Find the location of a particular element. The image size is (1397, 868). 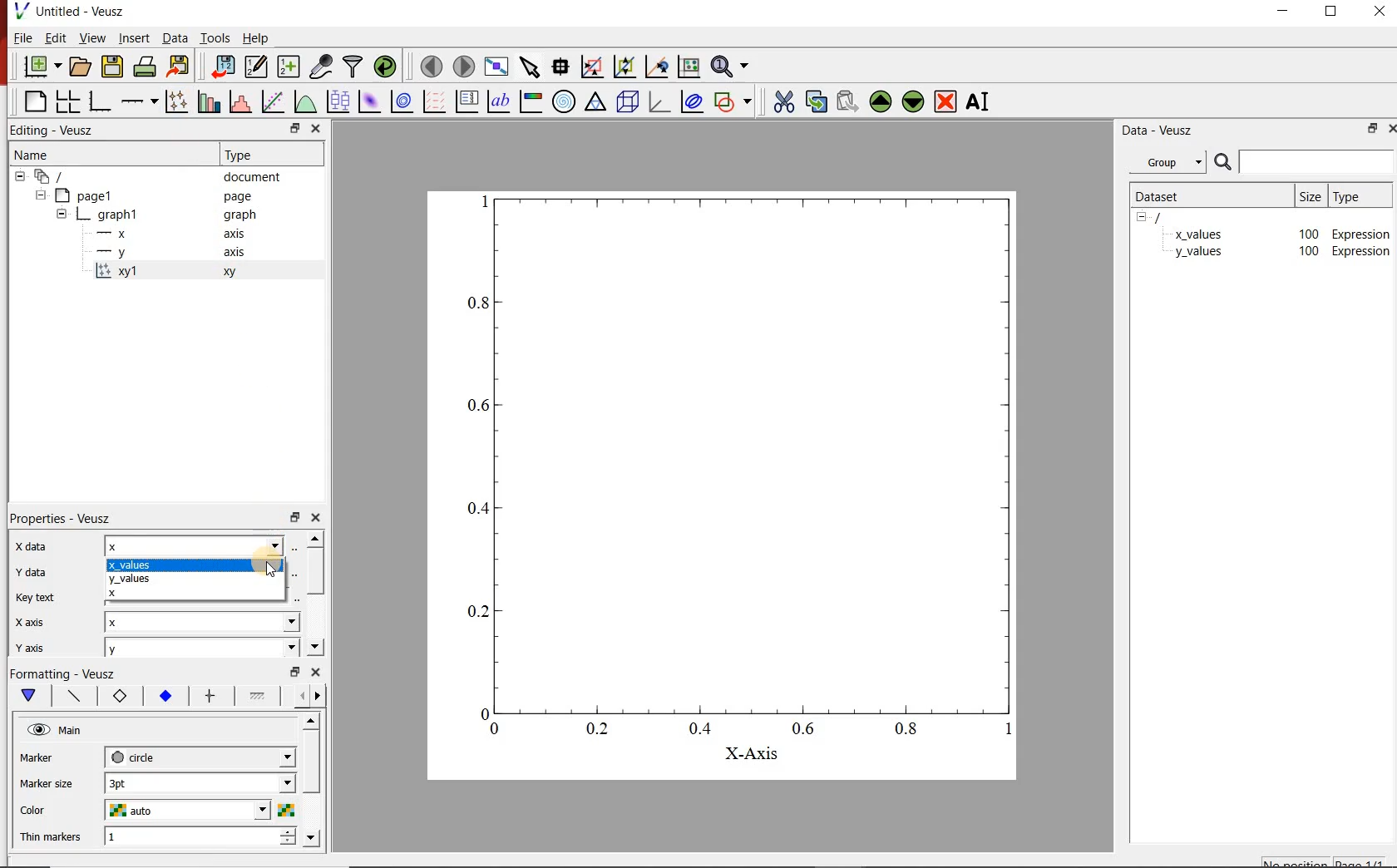

data-veusz is located at coordinates (1158, 132).